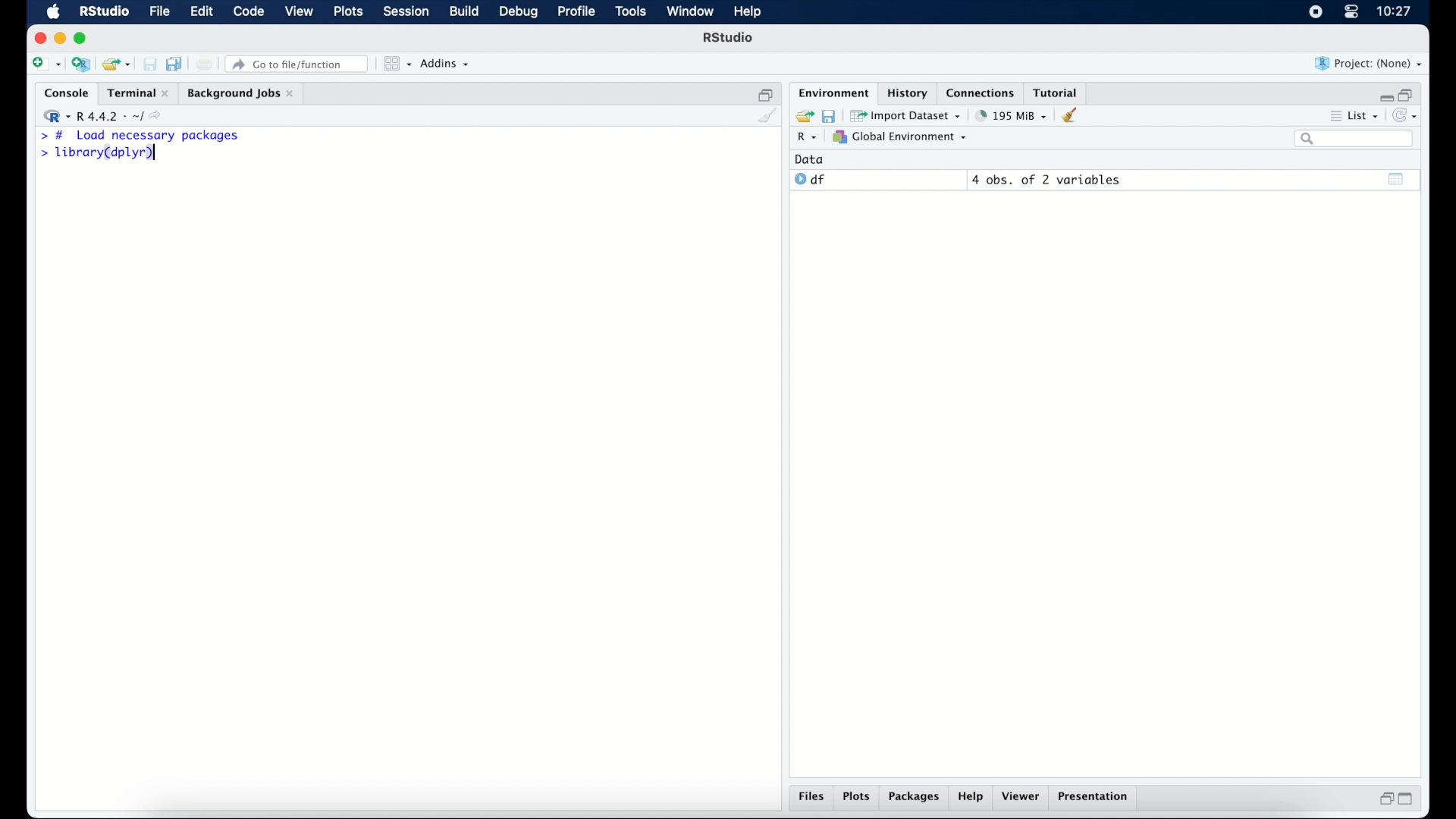  I want to click on presentation, so click(1095, 798).